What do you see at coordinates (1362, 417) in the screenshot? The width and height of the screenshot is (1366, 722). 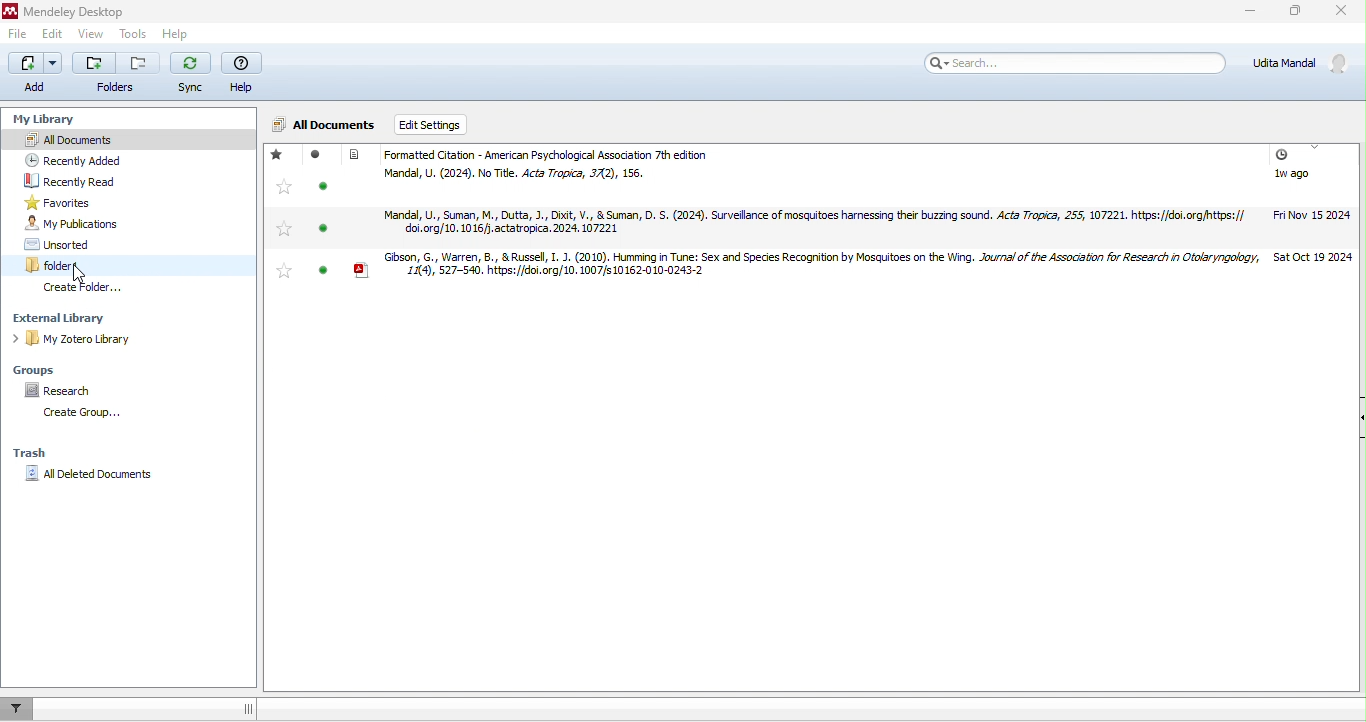 I see `Show/Hide` at bounding box center [1362, 417].